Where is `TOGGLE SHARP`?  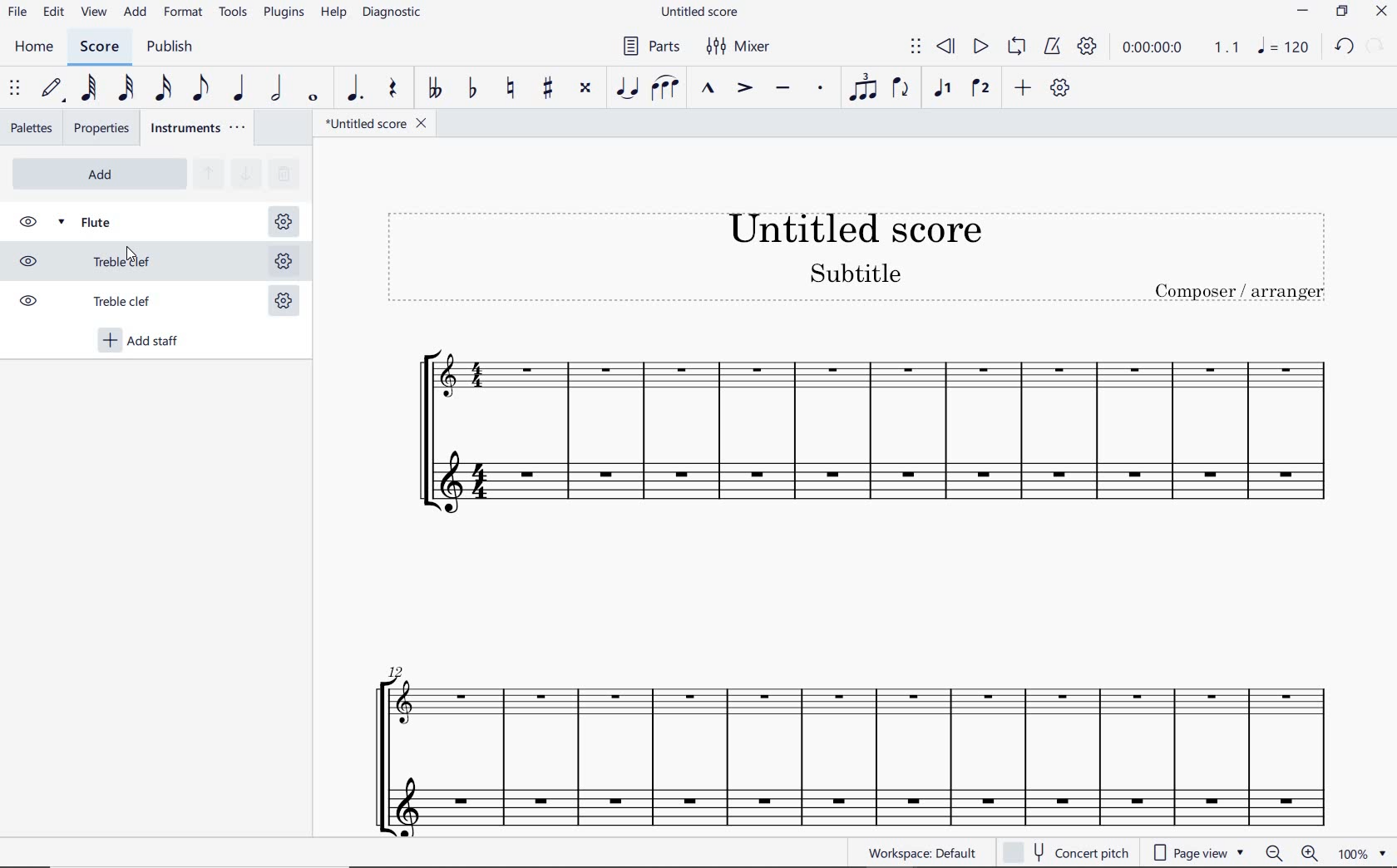
TOGGLE SHARP is located at coordinates (545, 87).